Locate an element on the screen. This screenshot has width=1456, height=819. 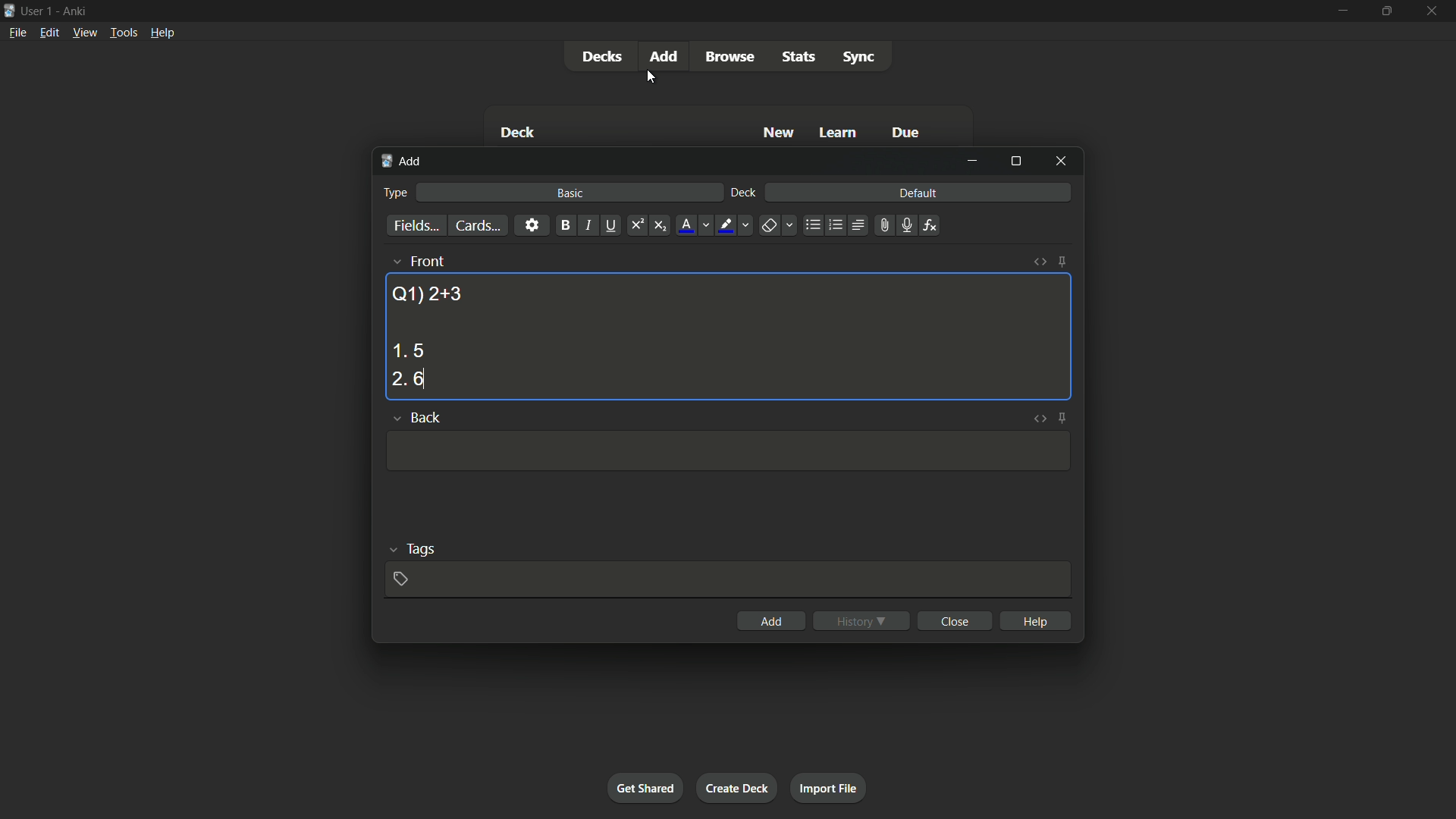
equations is located at coordinates (930, 225).